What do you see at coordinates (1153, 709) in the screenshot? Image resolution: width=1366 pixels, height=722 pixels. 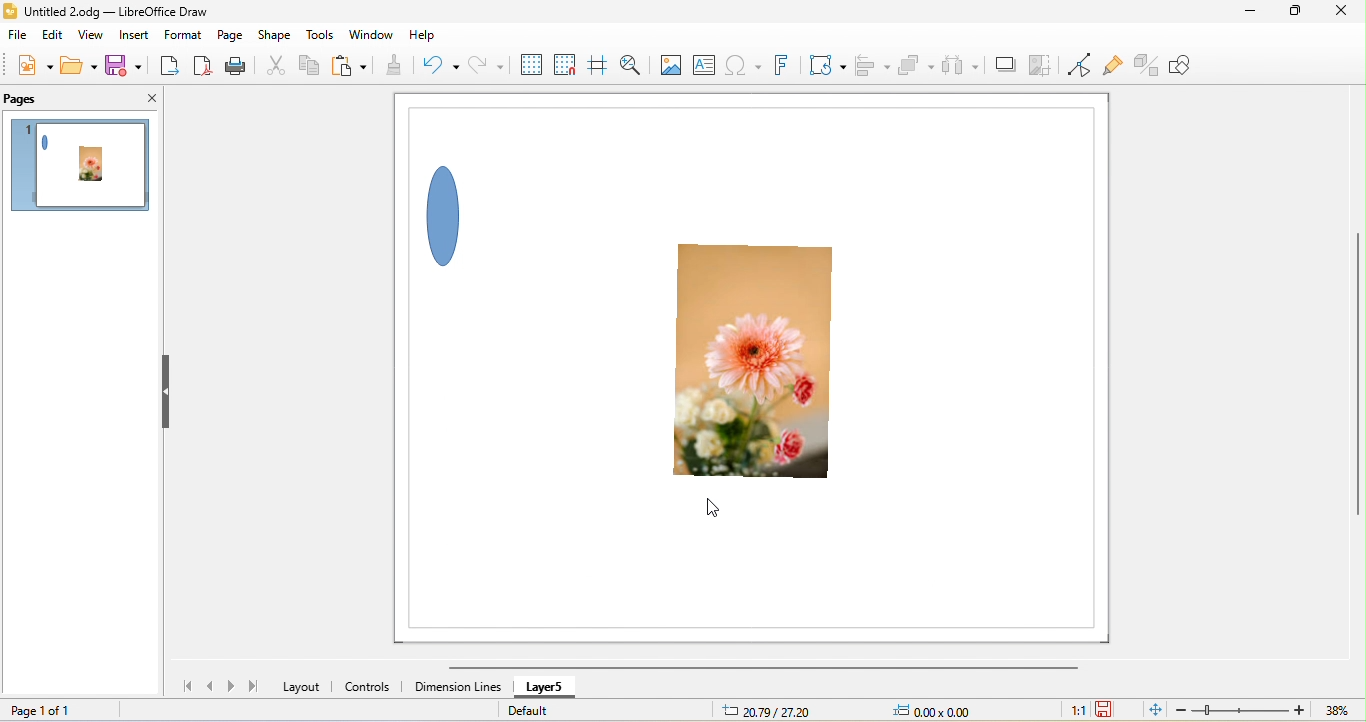 I see `fit page to current window` at bounding box center [1153, 709].